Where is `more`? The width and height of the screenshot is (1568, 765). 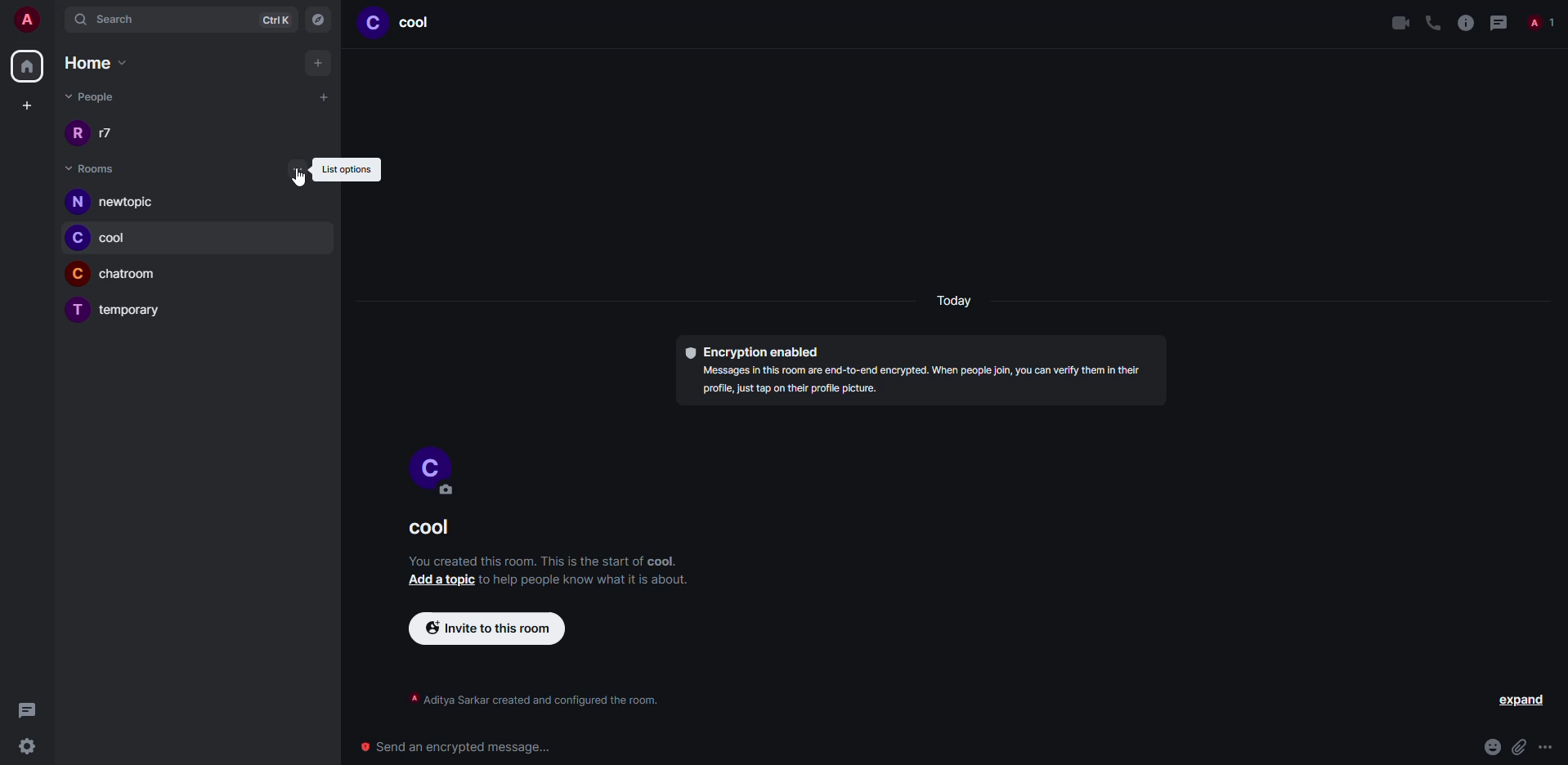 more is located at coordinates (1545, 747).